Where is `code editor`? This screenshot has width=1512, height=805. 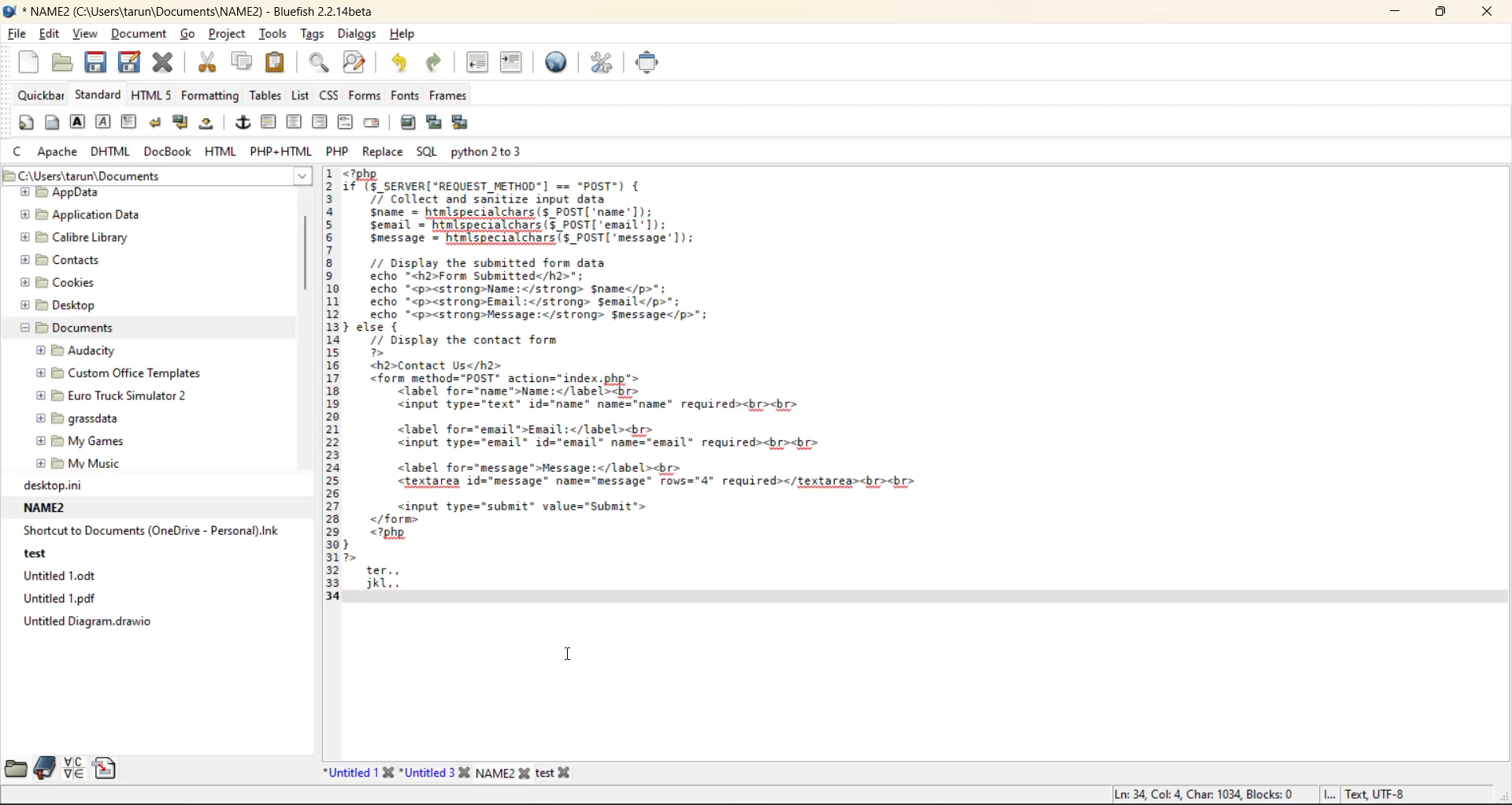 code editor is located at coordinates (632, 384).